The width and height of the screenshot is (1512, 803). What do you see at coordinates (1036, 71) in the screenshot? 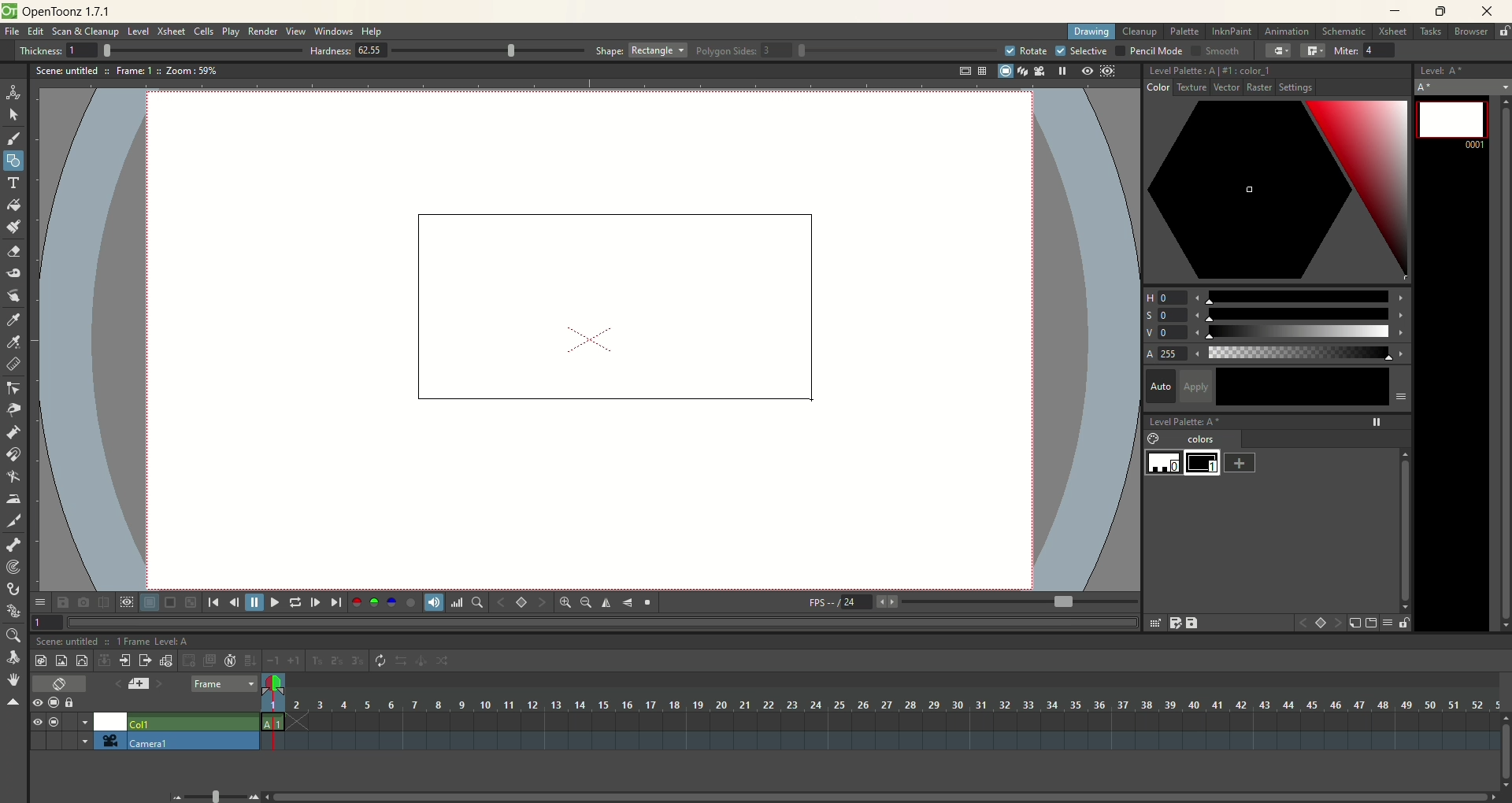
I see `camera view` at bounding box center [1036, 71].